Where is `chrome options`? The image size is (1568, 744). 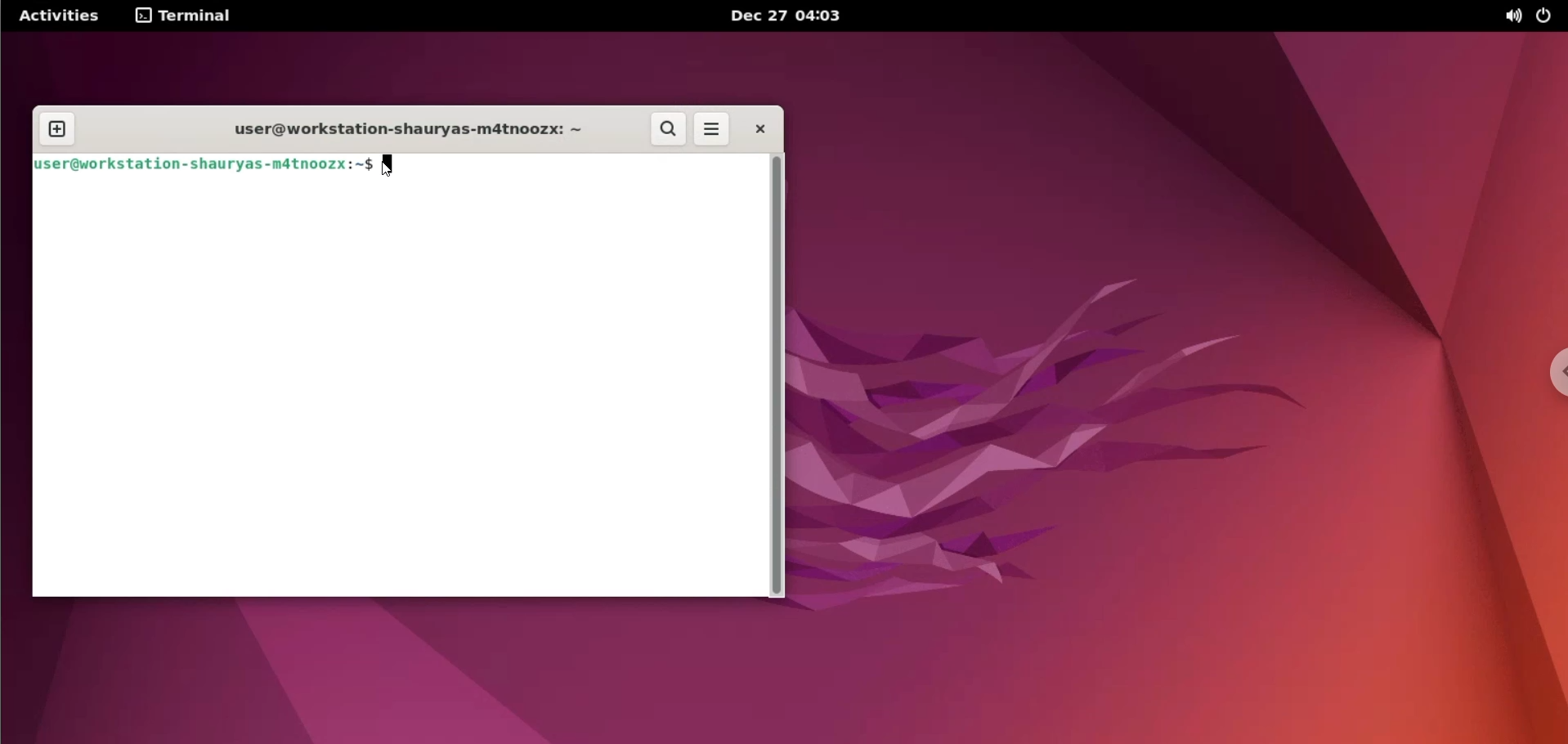 chrome options is located at coordinates (1553, 374).